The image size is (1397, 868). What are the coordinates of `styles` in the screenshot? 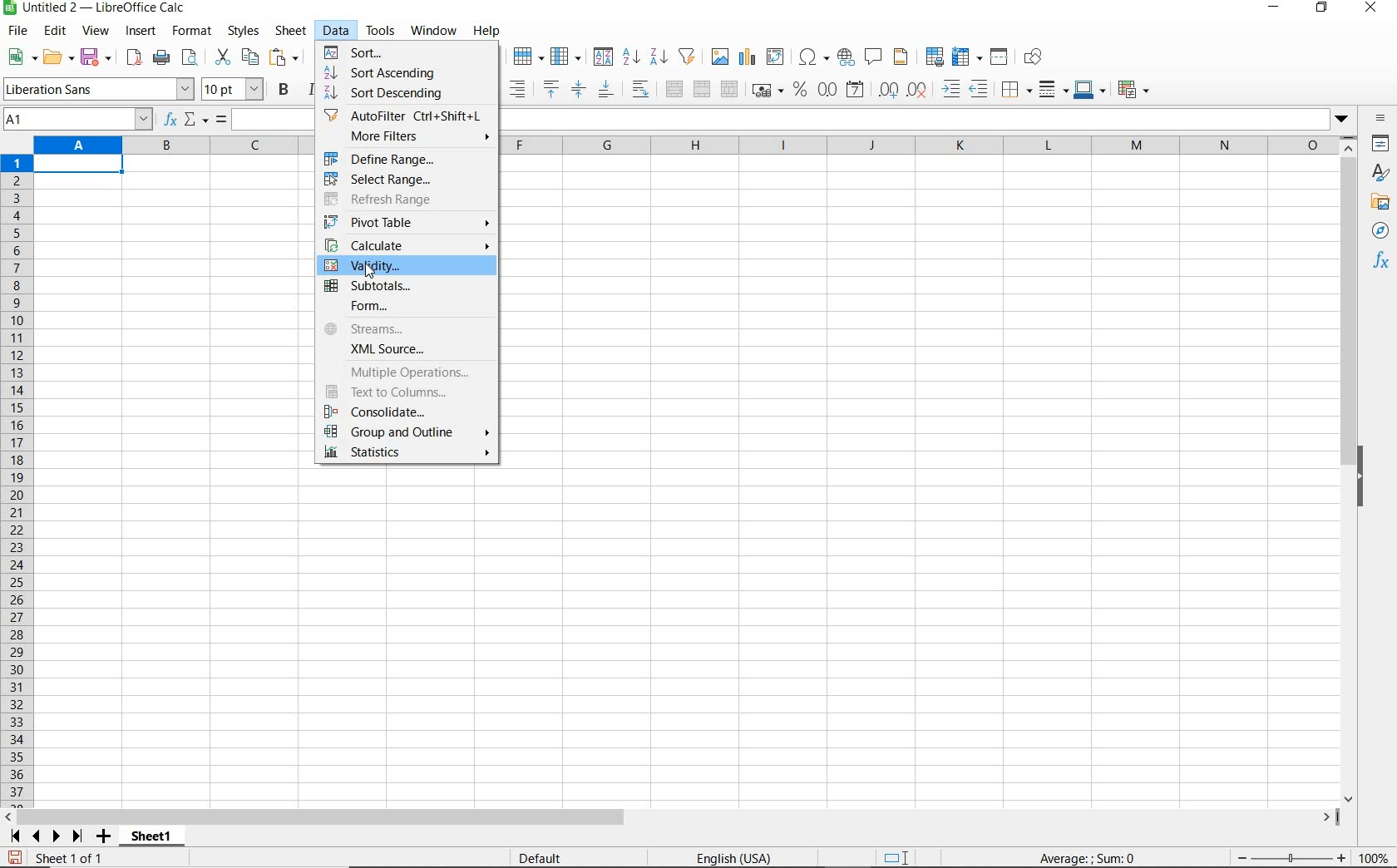 It's located at (1381, 175).